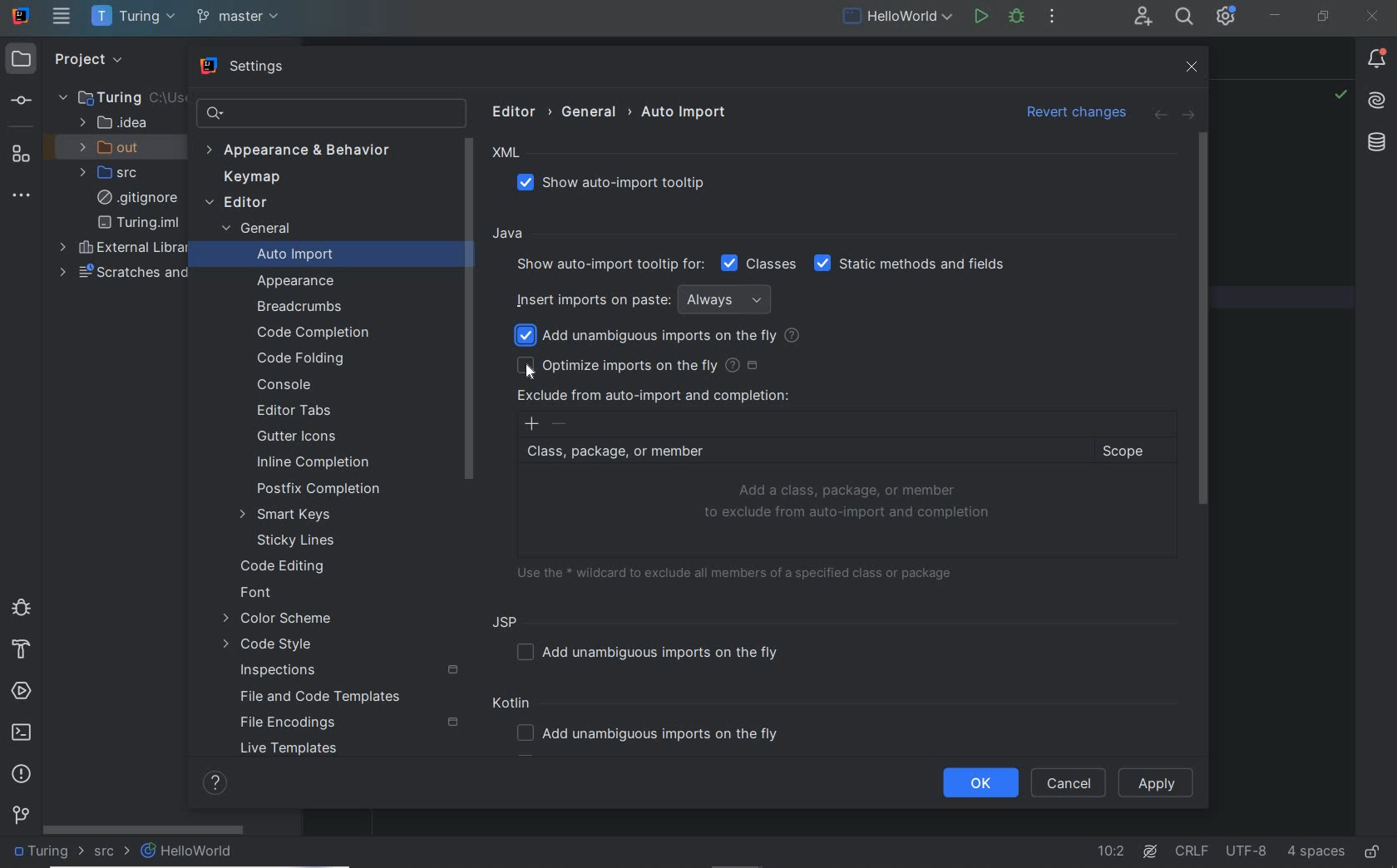 This screenshot has height=868, width=1397. What do you see at coordinates (654, 735) in the screenshot?
I see `ADD UNAMBIGUOUS IMPORTS ON THE FLY` at bounding box center [654, 735].